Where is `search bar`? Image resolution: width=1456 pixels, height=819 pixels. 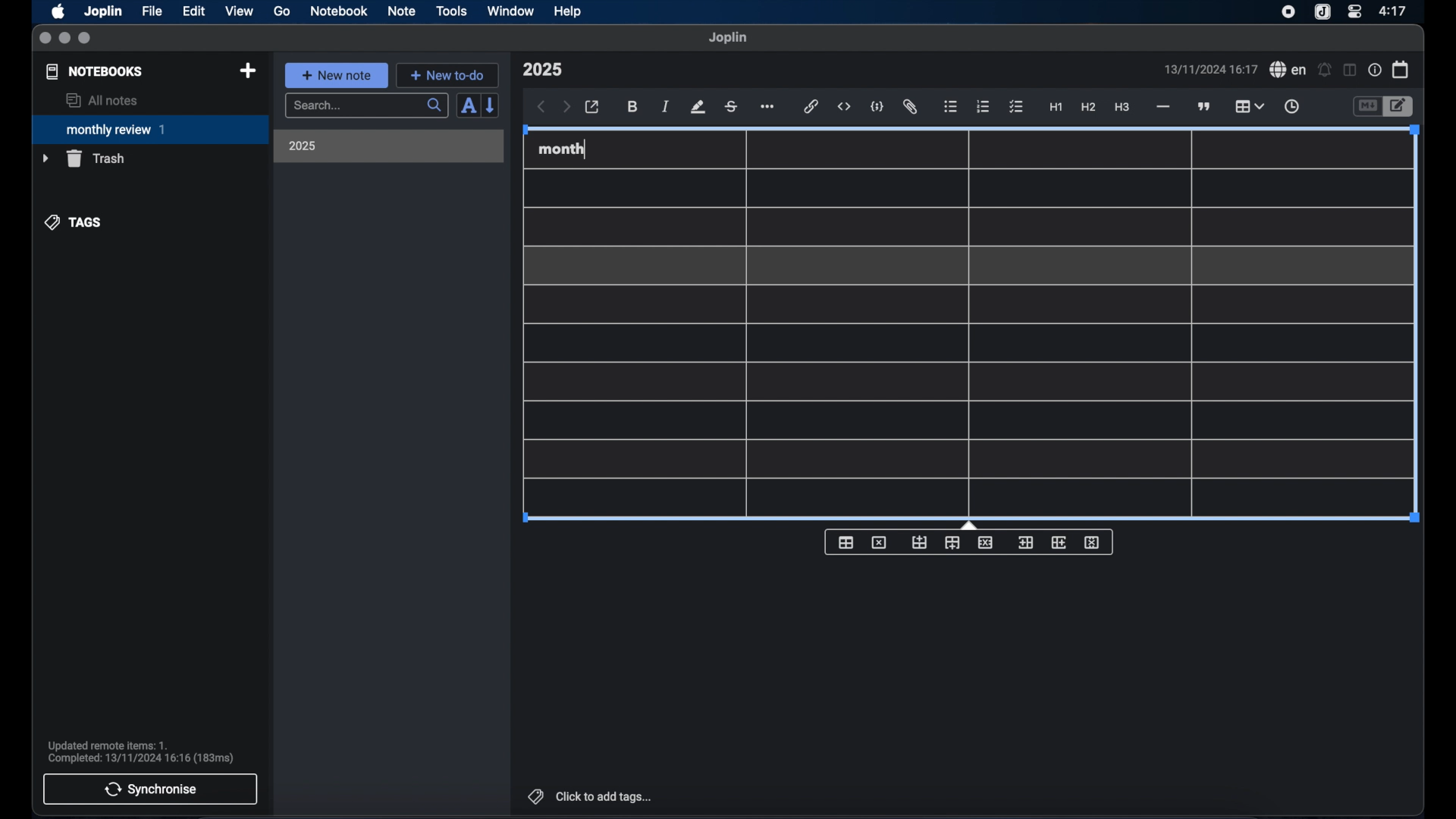 search bar is located at coordinates (366, 107).